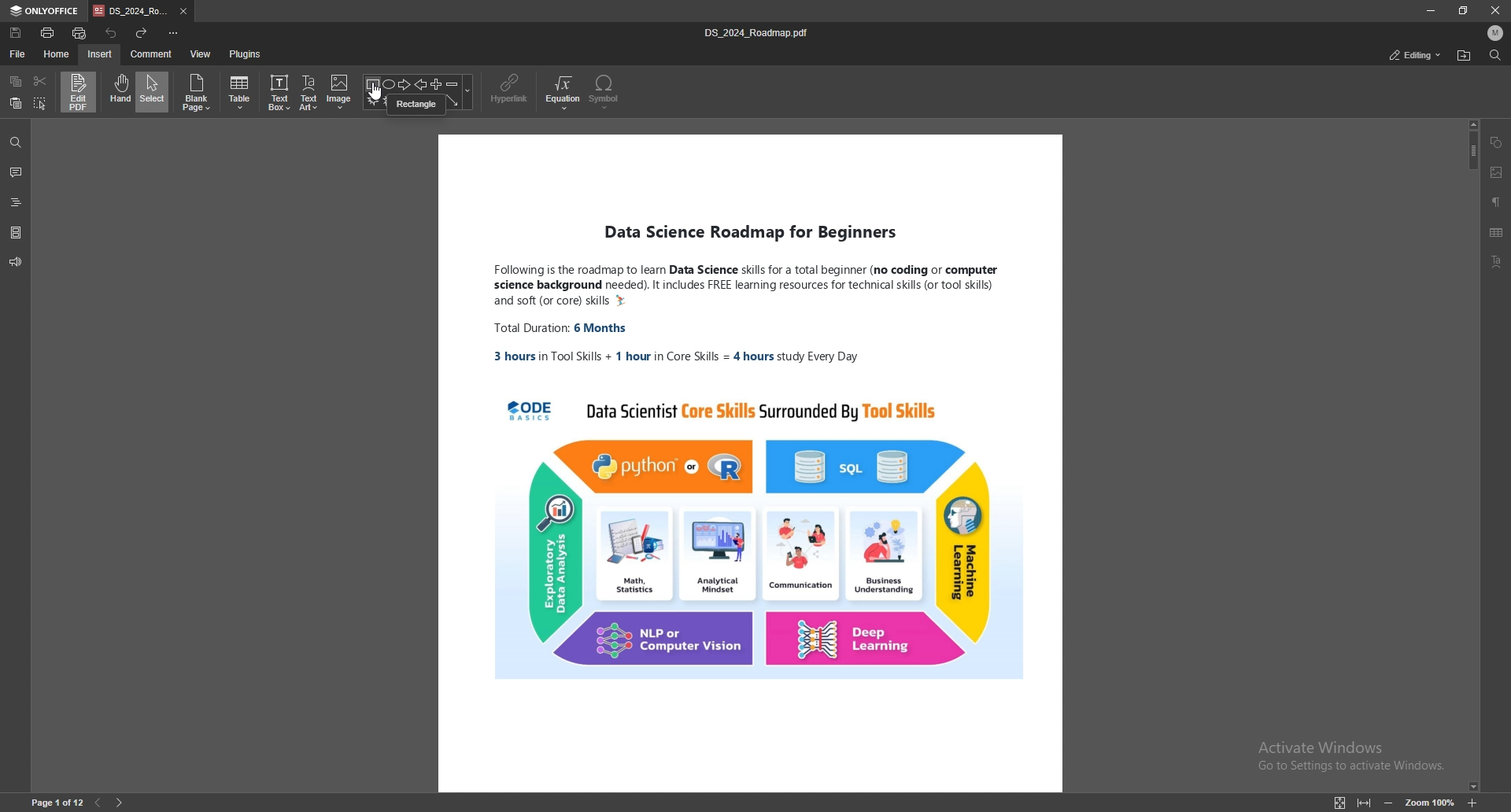  What do you see at coordinates (1471, 455) in the screenshot?
I see `scroll bar` at bounding box center [1471, 455].